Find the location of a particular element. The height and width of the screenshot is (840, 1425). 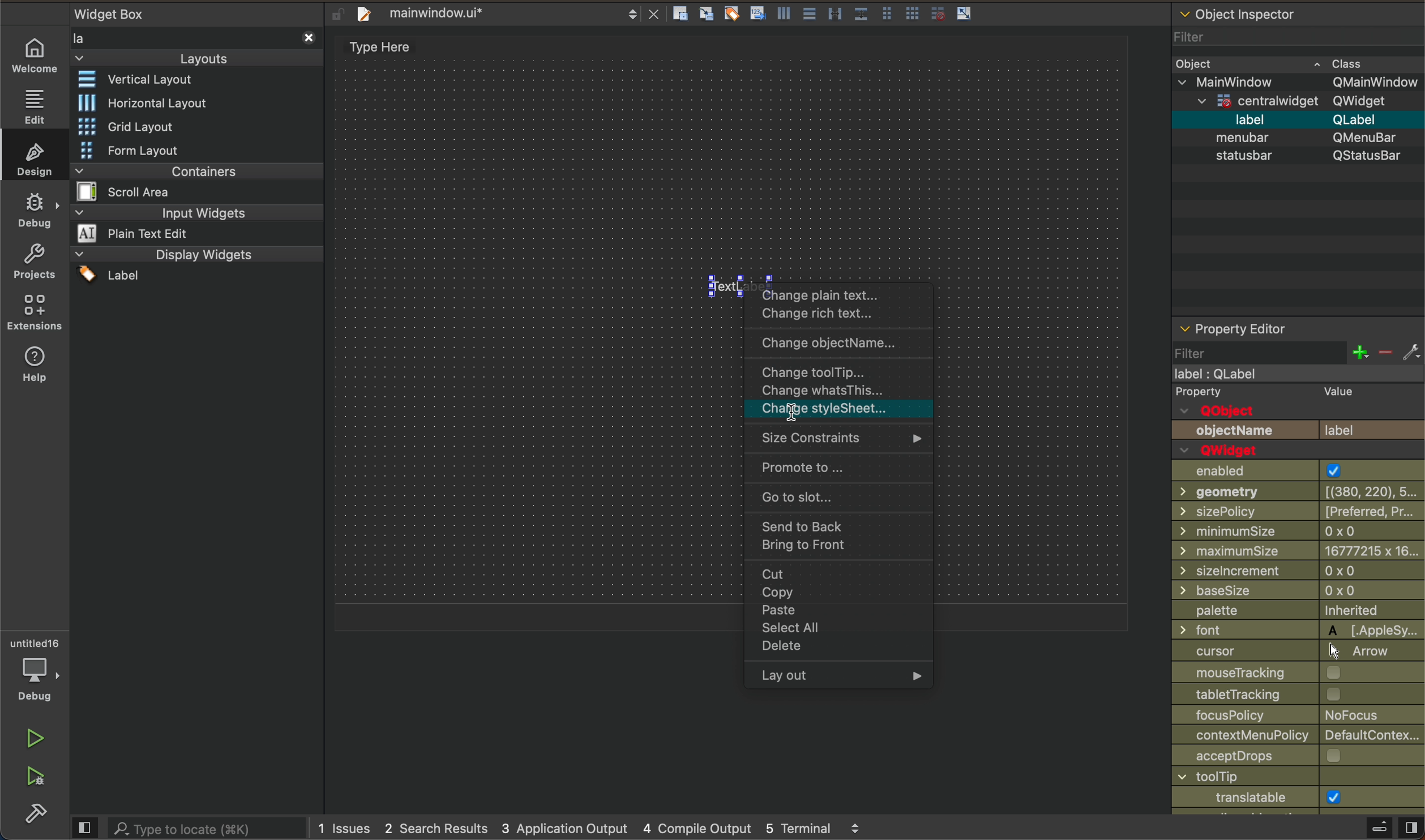

 is located at coordinates (832, 650).